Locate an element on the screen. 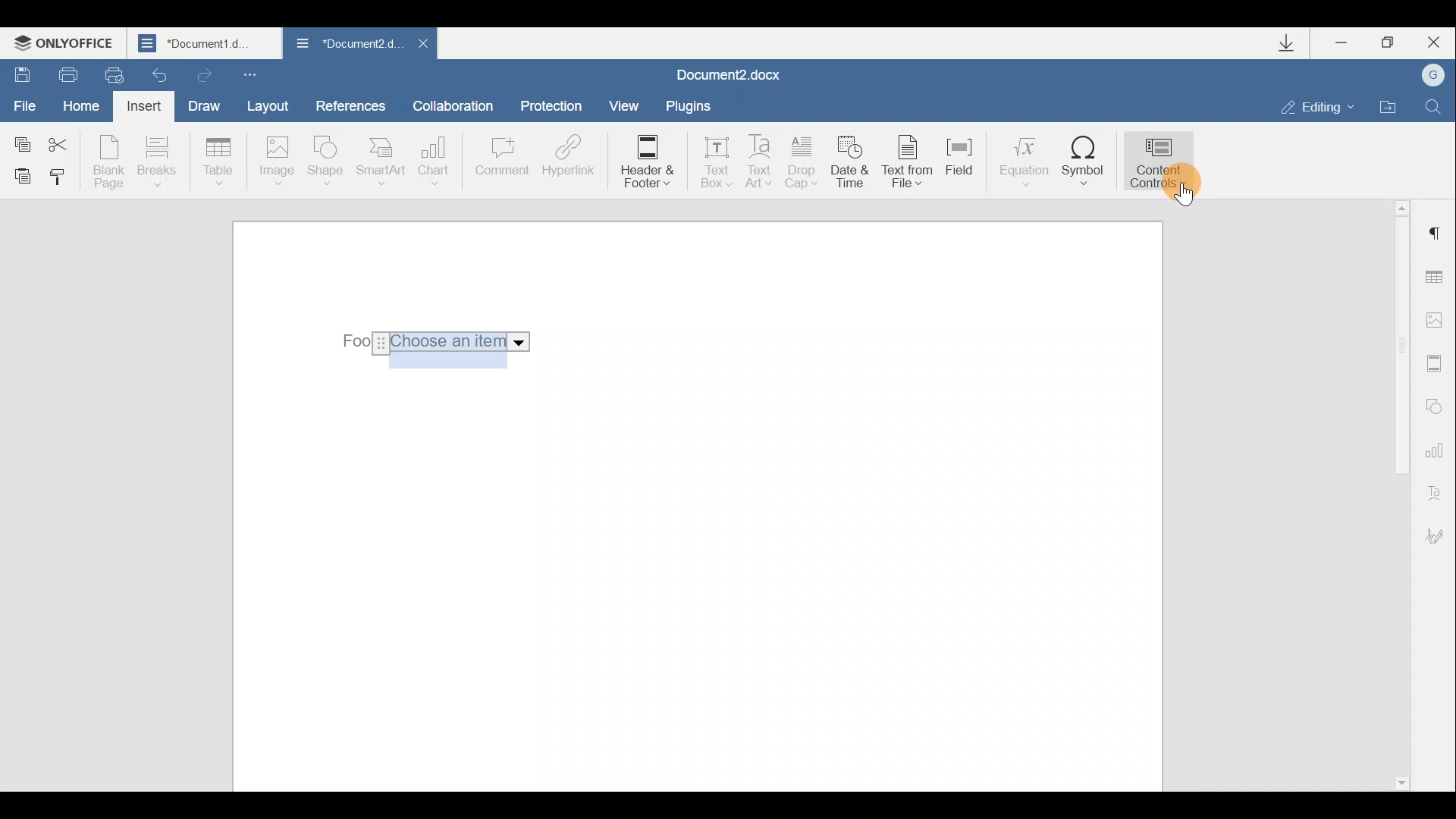 The image size is (1456, 819). Blank page is located at coordinates (108, 162).